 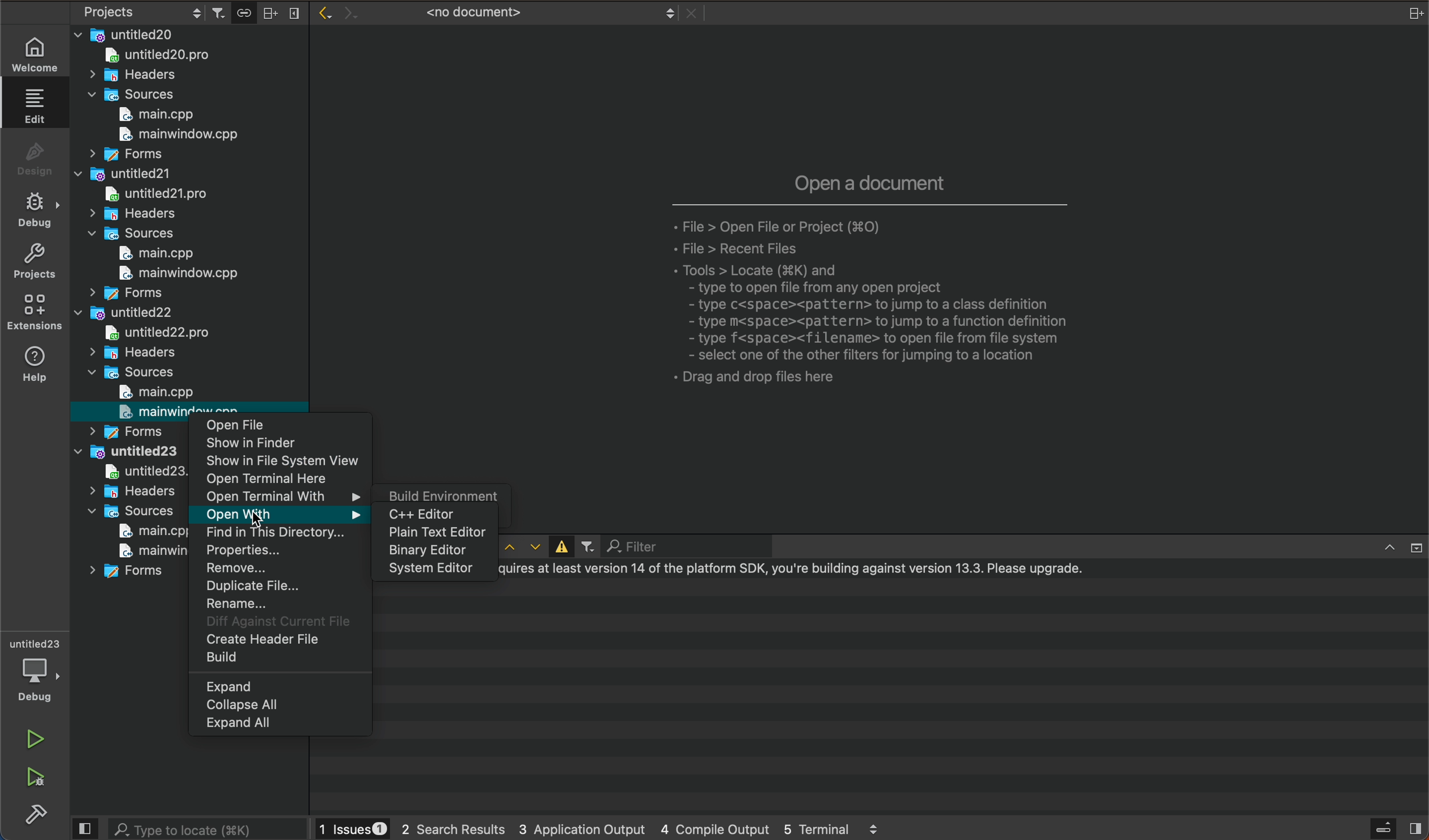 I want to click on cursor, so click(x=271, y=515).